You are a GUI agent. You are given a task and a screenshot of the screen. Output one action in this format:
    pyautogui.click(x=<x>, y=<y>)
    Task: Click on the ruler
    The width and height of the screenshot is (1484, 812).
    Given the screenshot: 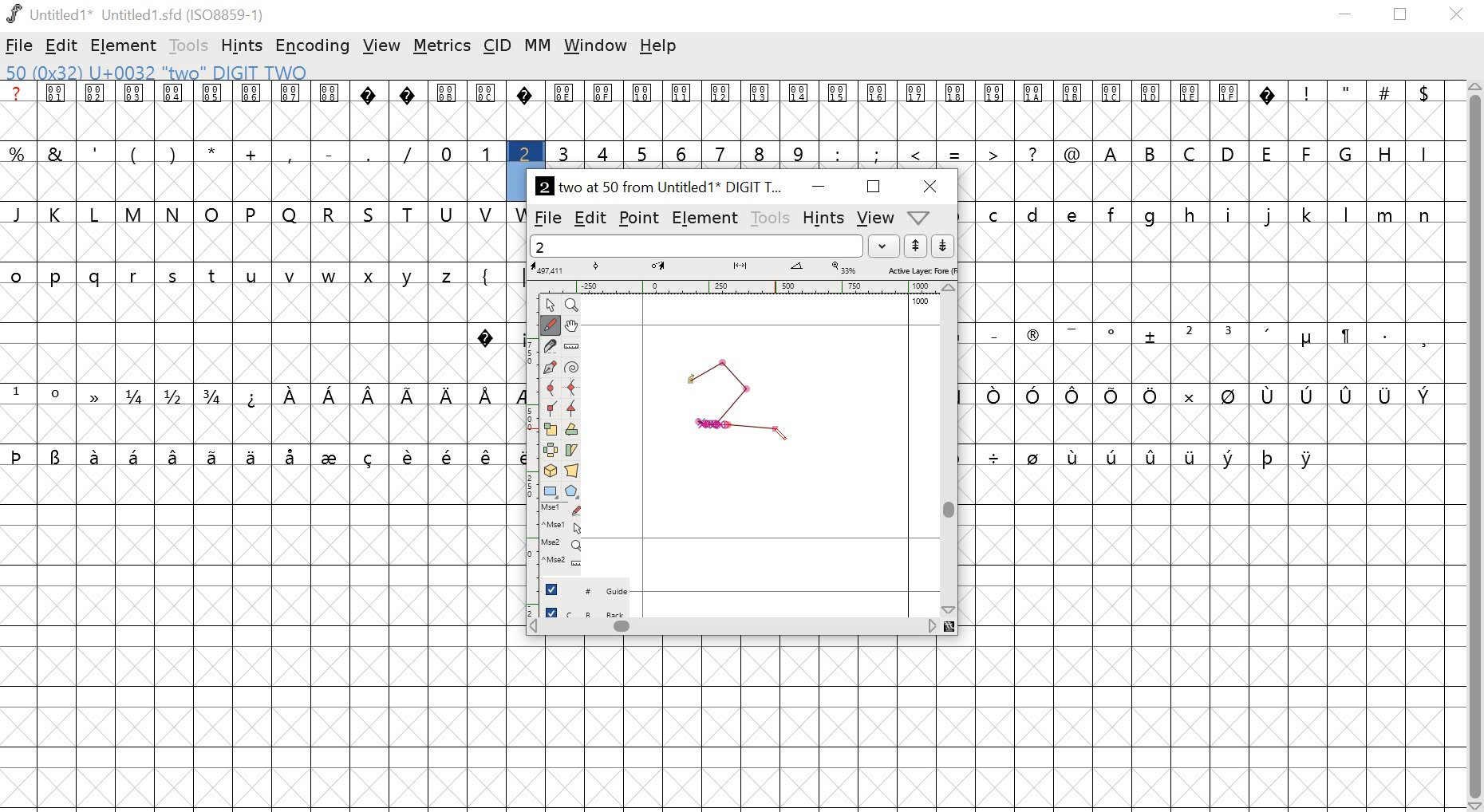 What is the action you would take?
    pyautogui.click(x=742, y=288)
    